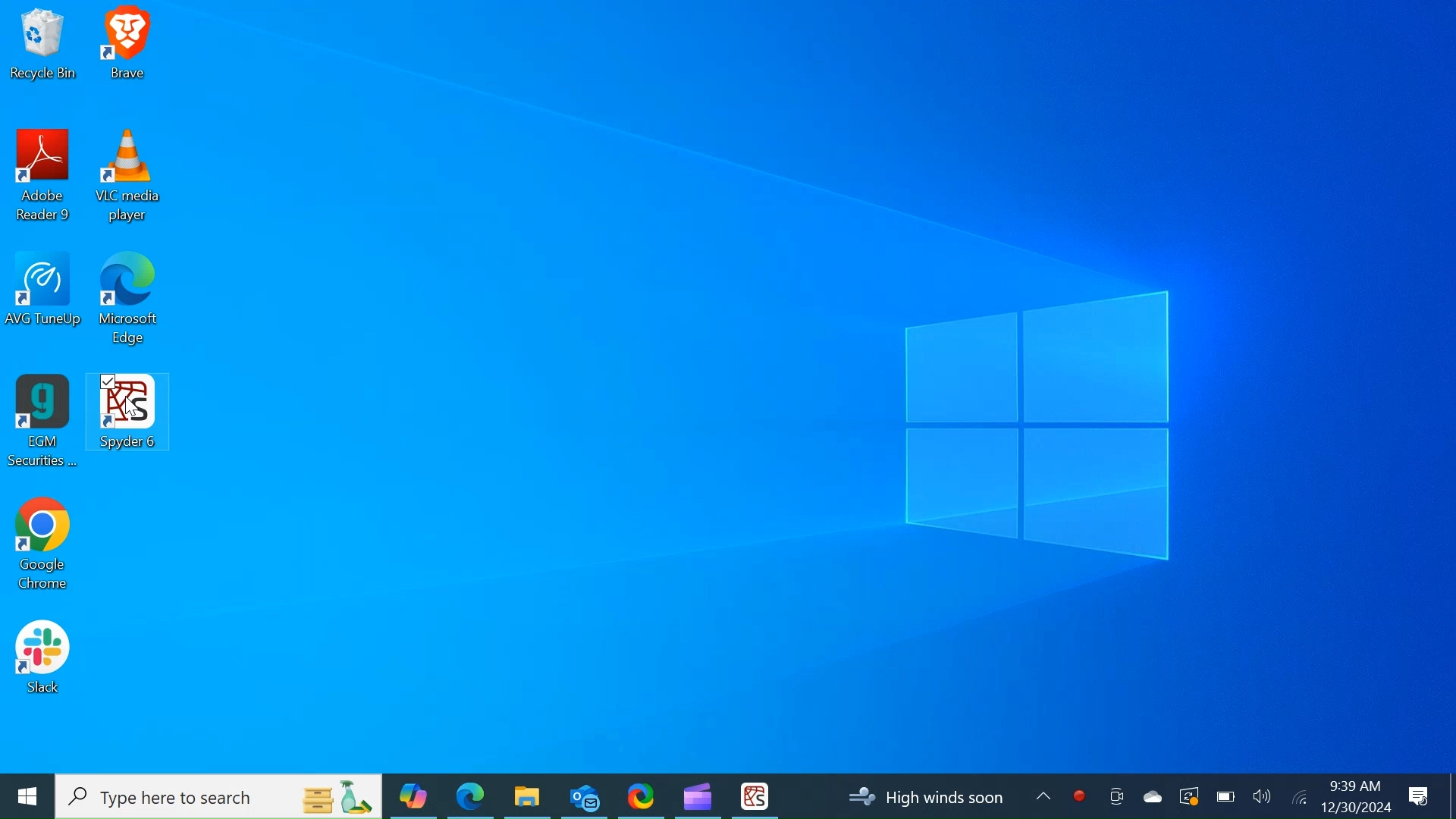  Describe the element at coordinates (42, 660) in the screenshot. I see `Slack Desktop Icon` at that location.